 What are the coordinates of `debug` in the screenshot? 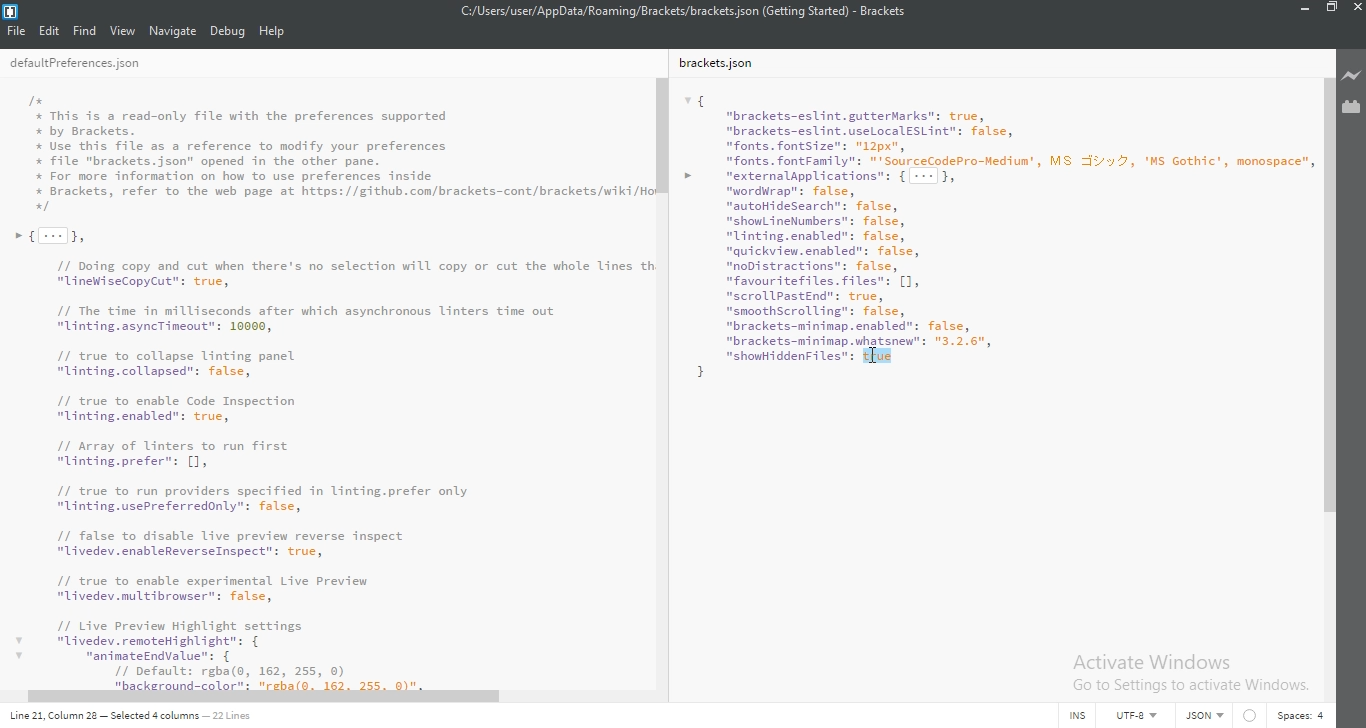 It's located at (228, 30).